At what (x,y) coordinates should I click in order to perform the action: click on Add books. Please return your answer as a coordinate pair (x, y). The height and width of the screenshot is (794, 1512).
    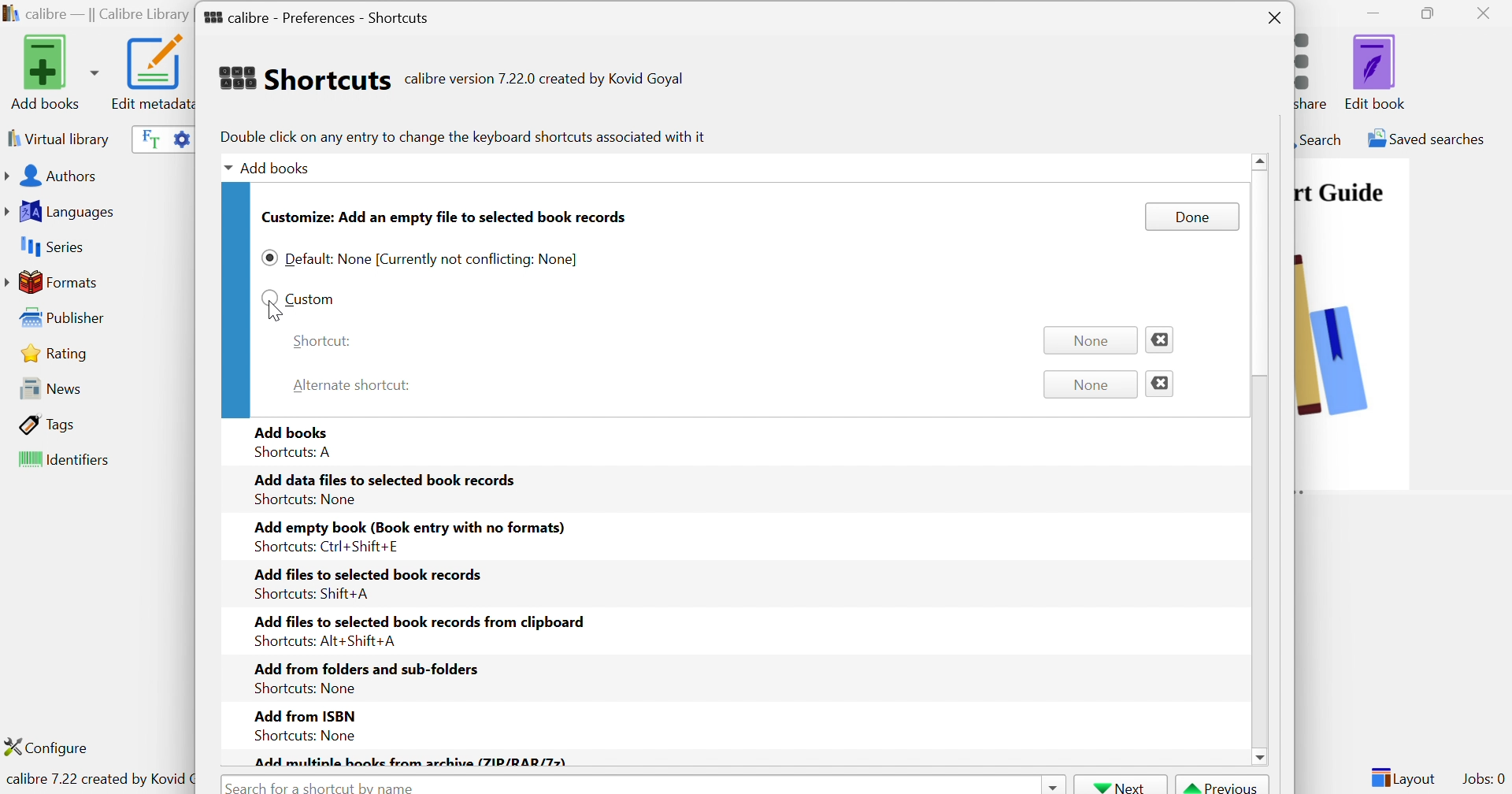
    Looking at the image, I should click on (293, 430).